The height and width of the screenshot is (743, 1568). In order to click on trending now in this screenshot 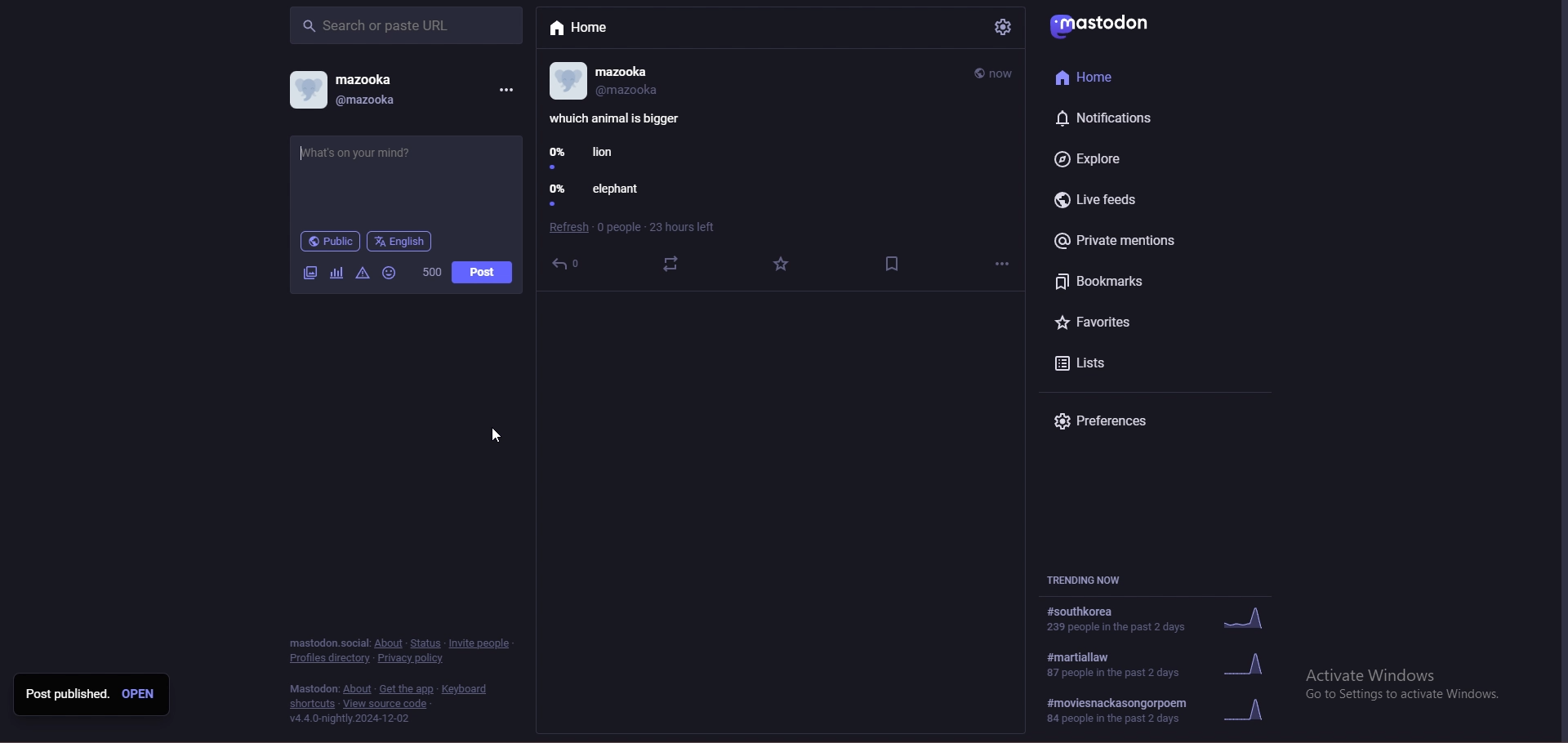, I will do `click(1097, 581)`.